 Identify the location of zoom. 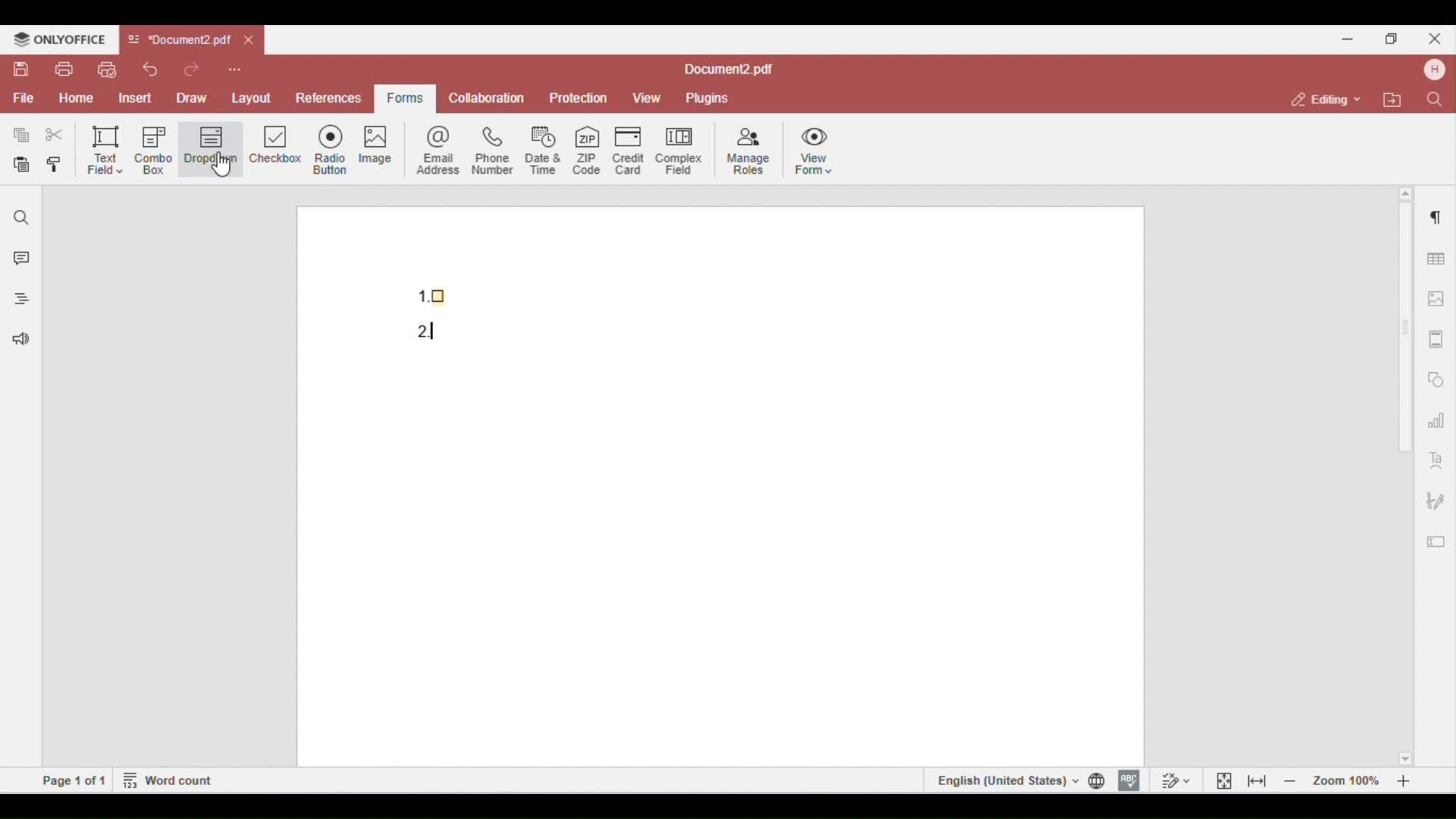
(1351, 780).